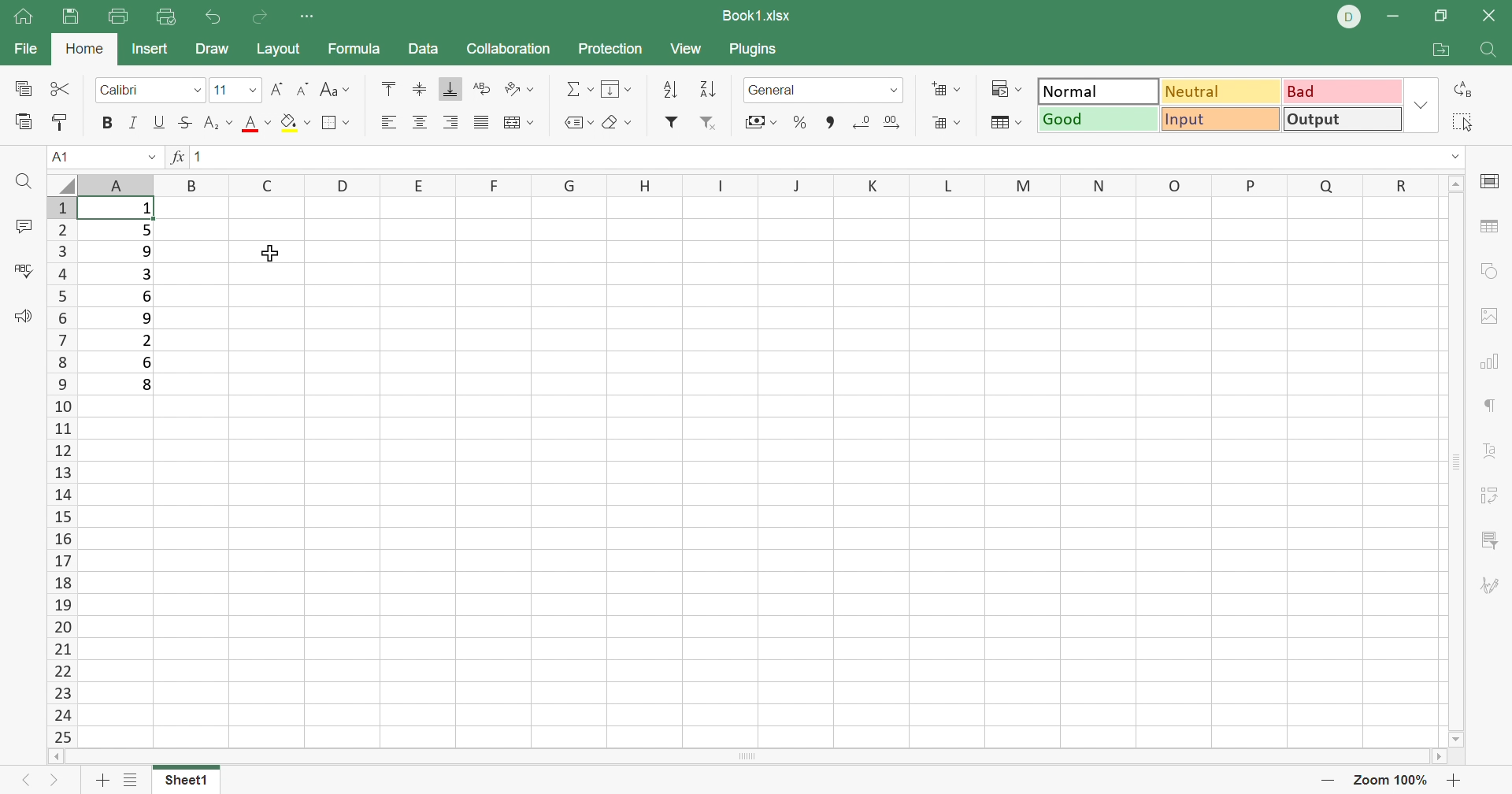 Image resolution: width=1512 pixels, height=794 pixels. I want to click on 6, so click(145, 296).